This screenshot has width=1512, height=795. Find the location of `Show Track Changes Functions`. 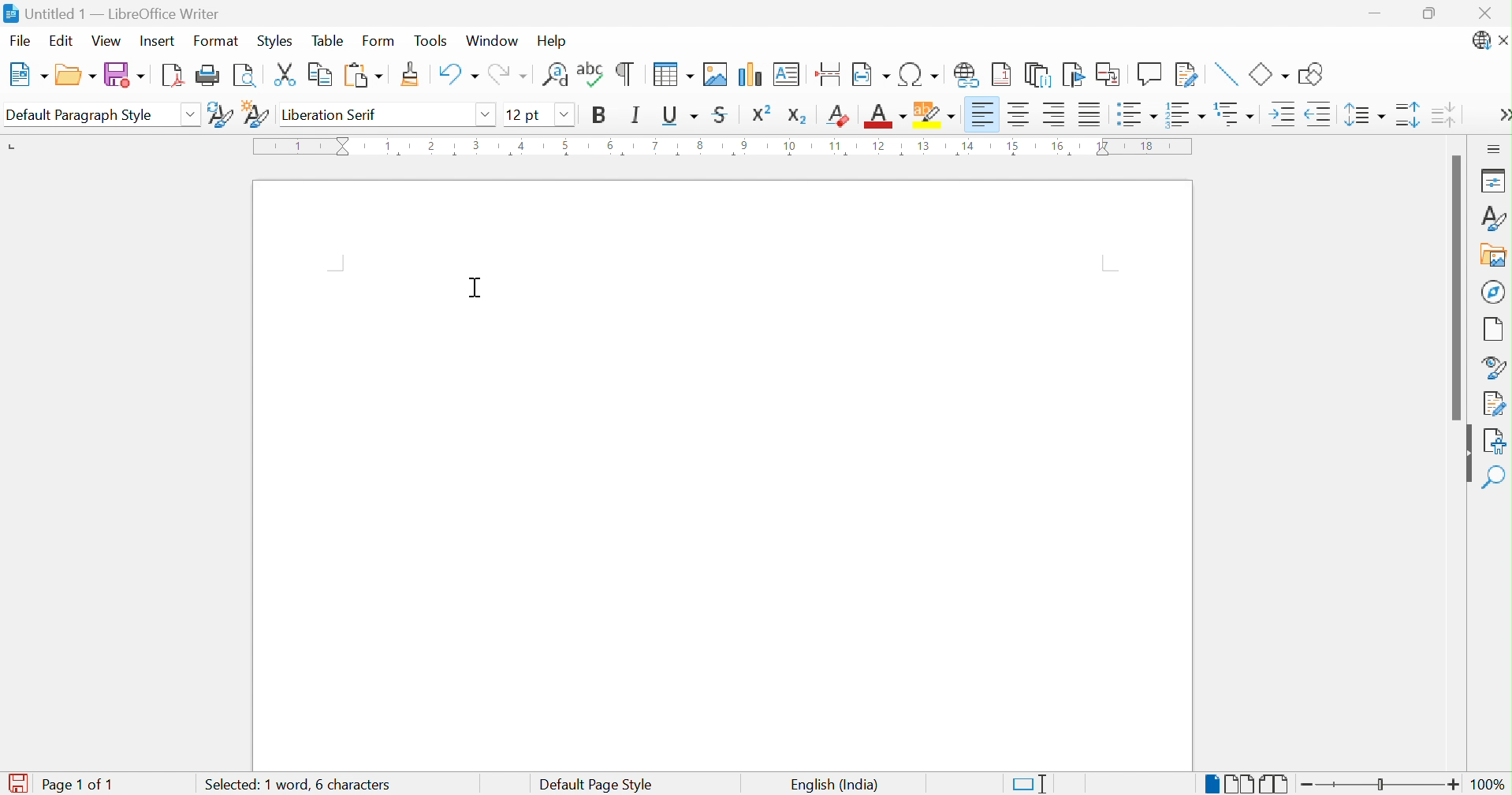

Show Track Changes Functions is located at coordinates (1187, 75).